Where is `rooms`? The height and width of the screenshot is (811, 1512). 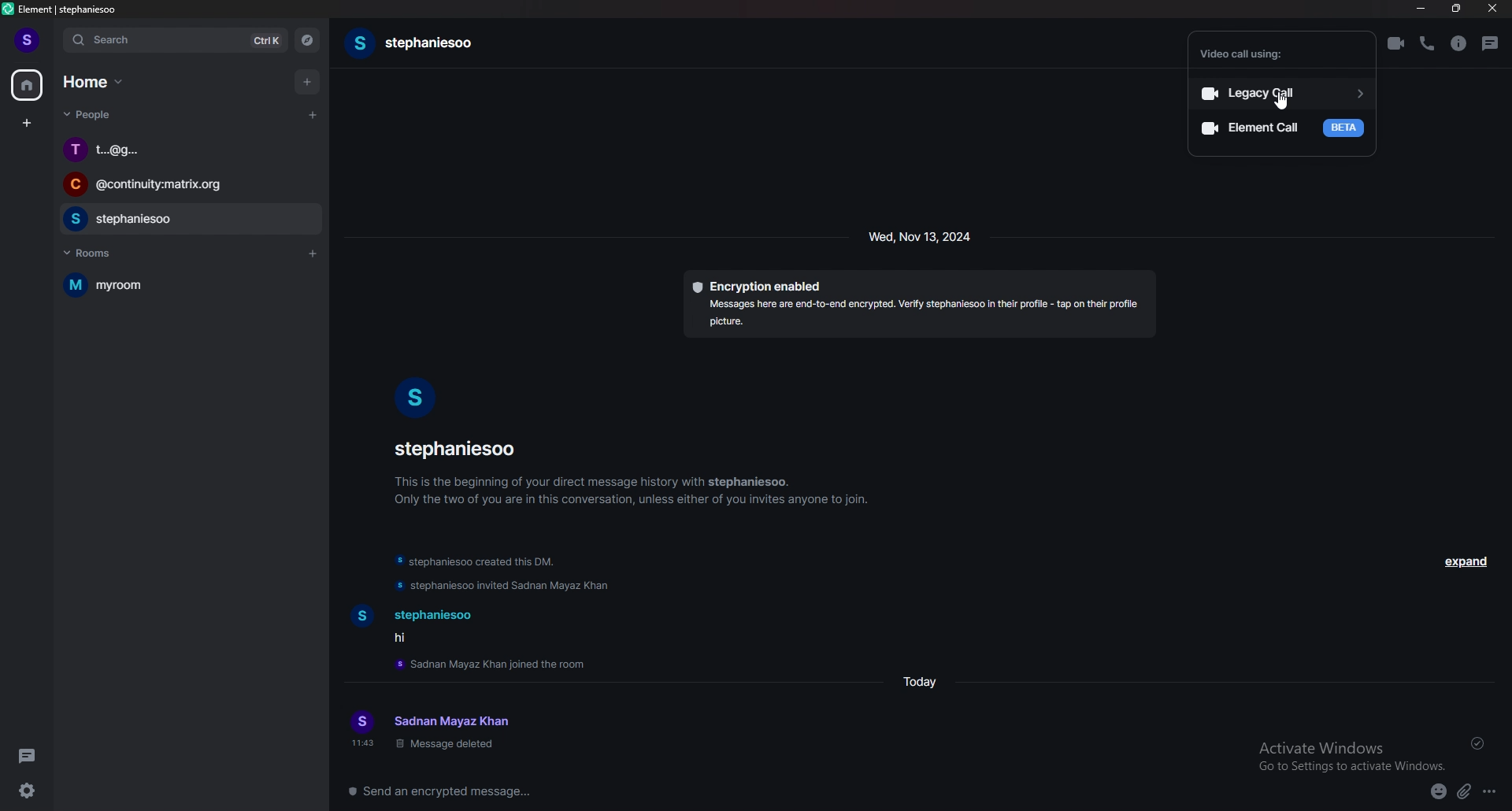 rooms is located at coordinates (99, 254).